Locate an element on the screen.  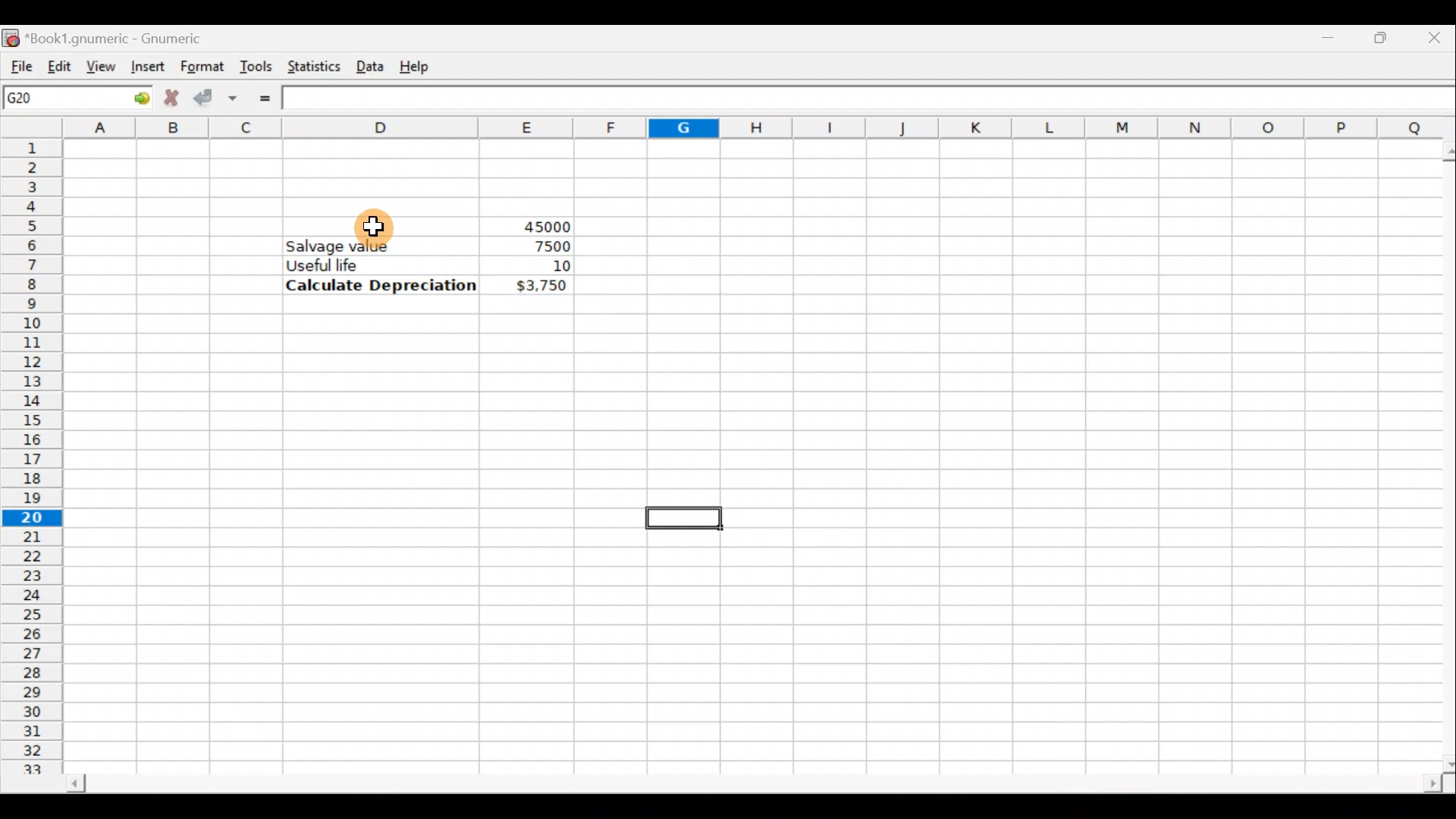
Selected cell is located at coordinates (687, 518).